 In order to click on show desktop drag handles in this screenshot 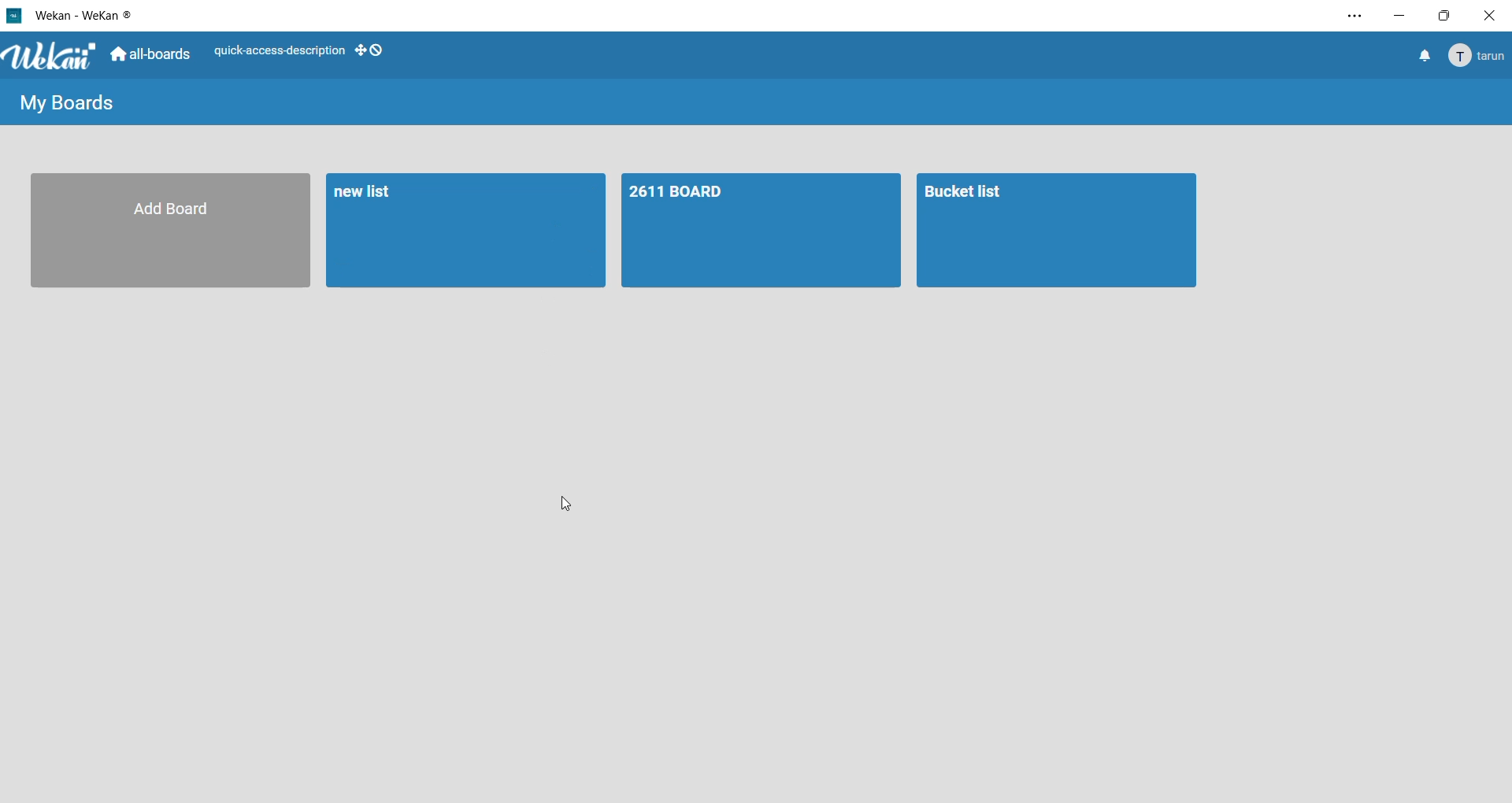, I will do `click(371, 50)`.